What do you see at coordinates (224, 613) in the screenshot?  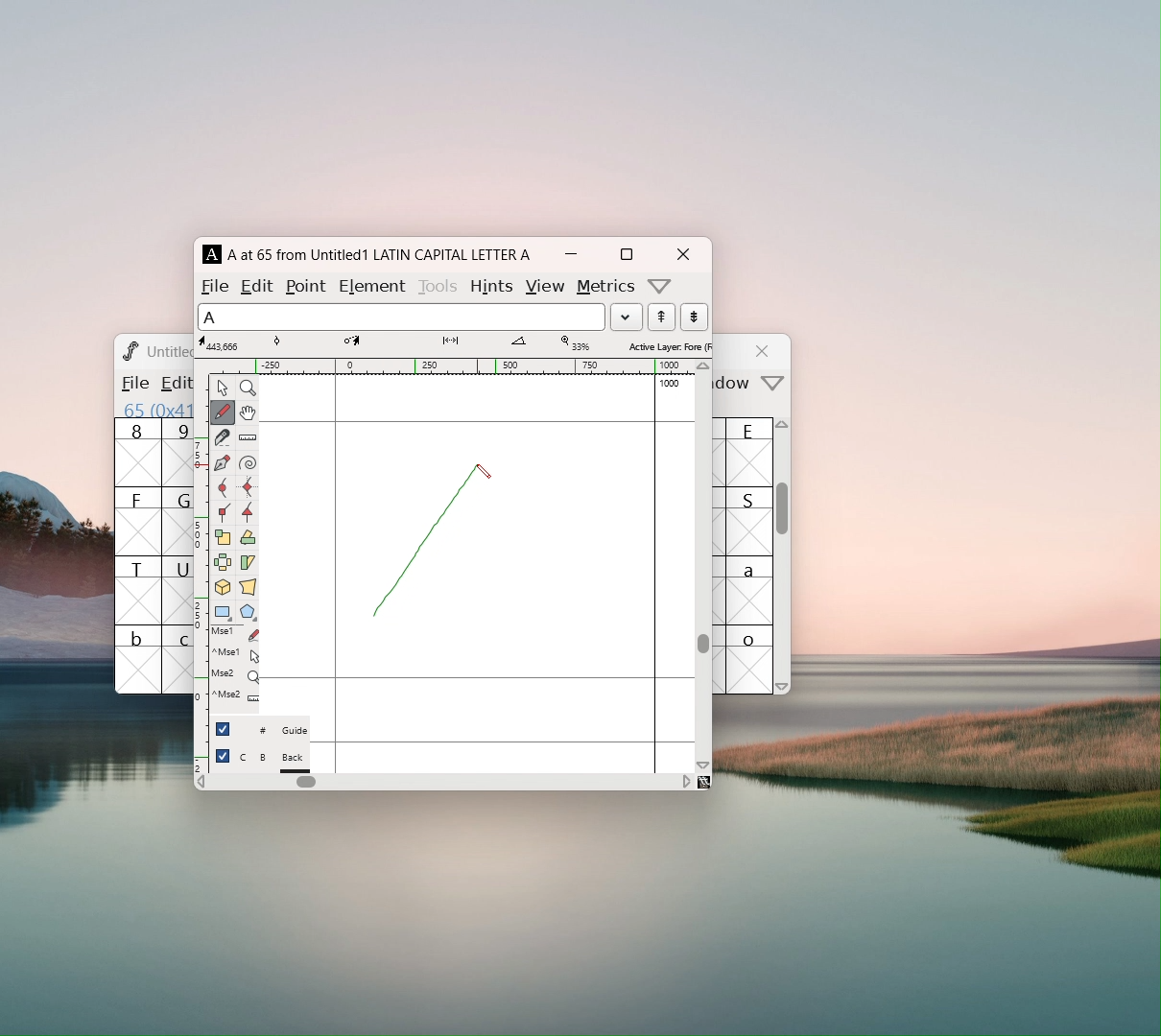 I see `rectangle or ellipse` at bounding box center [224, 613].